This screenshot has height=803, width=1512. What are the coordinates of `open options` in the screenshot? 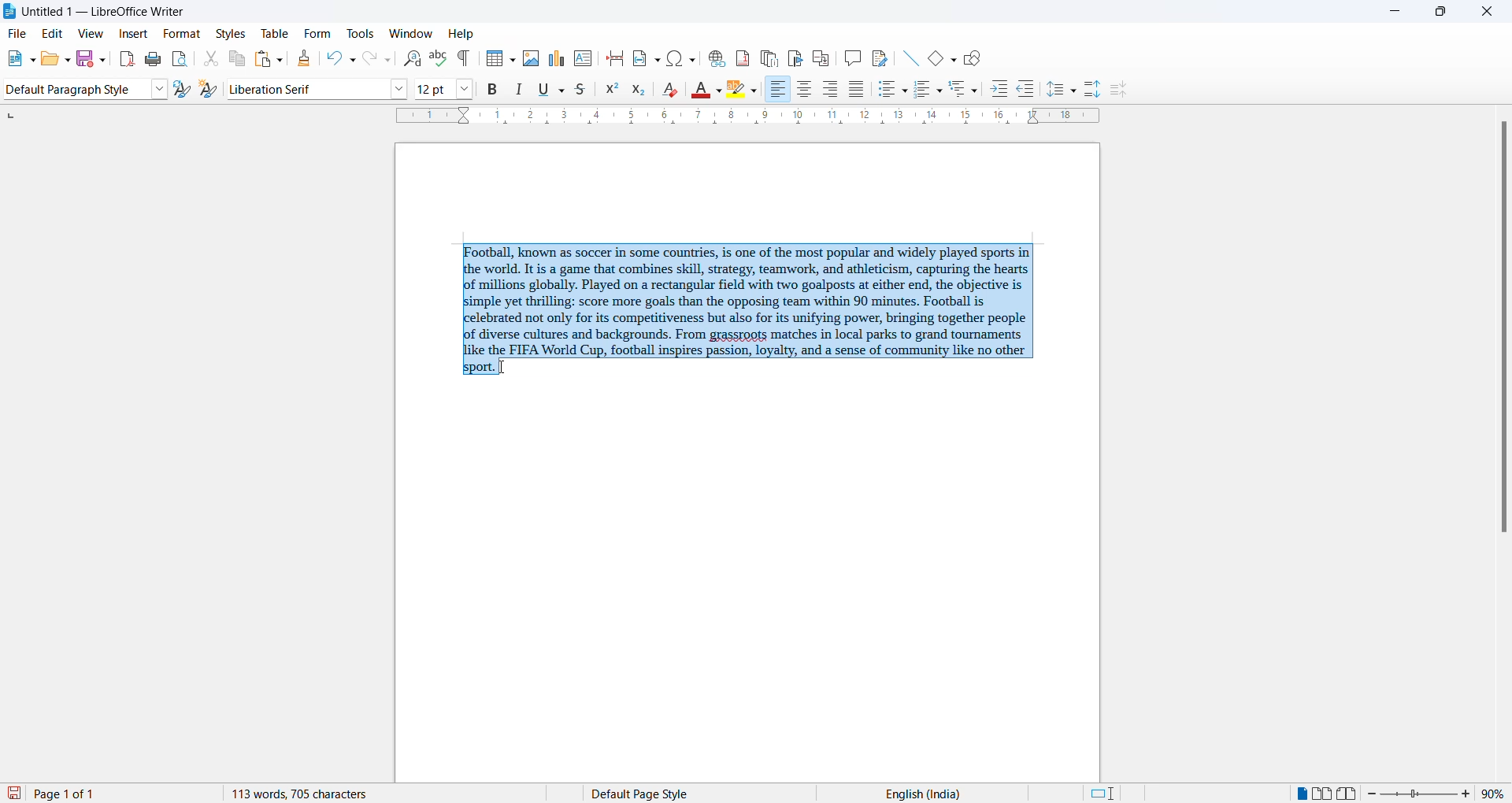 It's located at (63, 58).